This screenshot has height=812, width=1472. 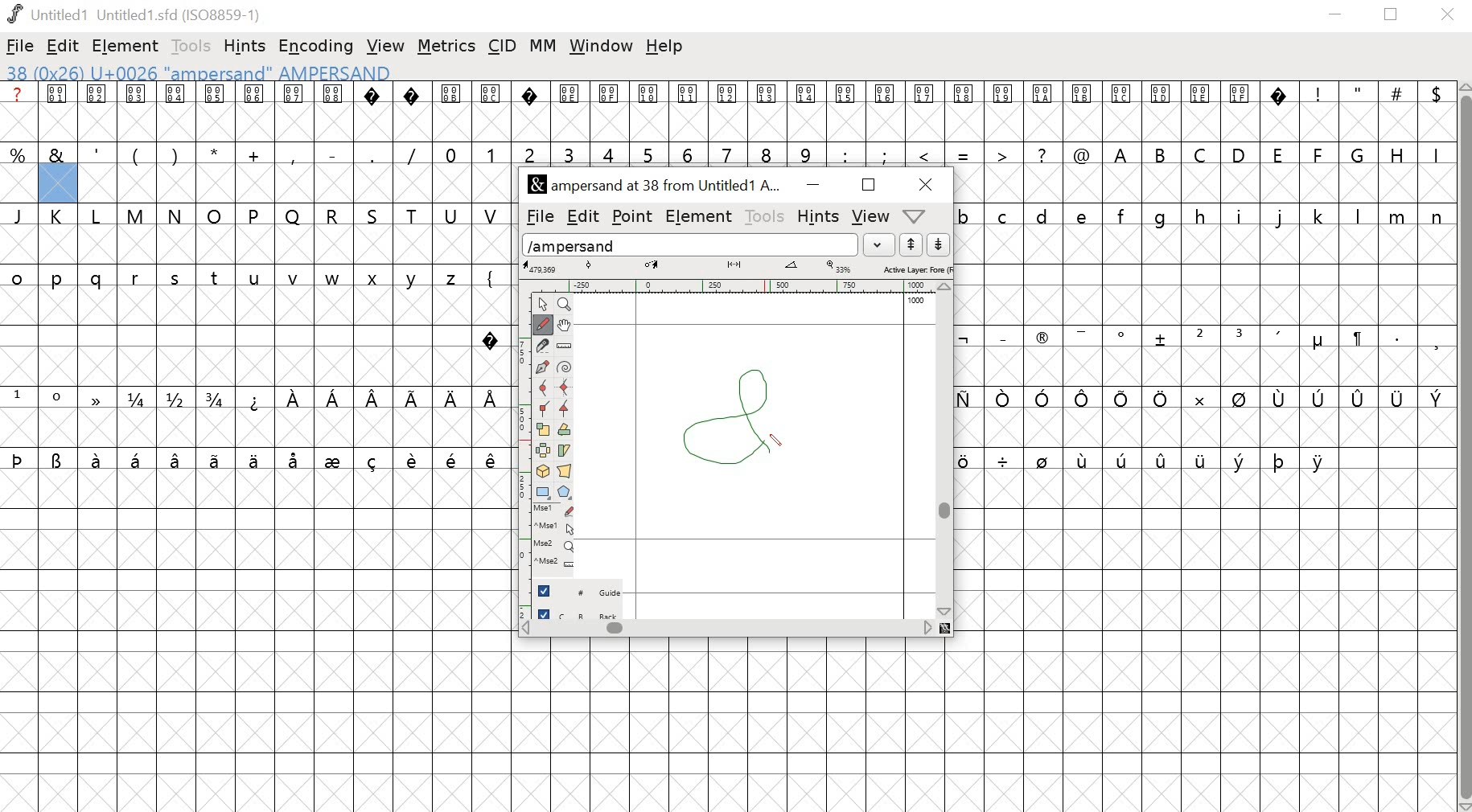 What do you see at coordinates (700, 217) in the screenshot?
I see `element` at bounding box center [700, 217].